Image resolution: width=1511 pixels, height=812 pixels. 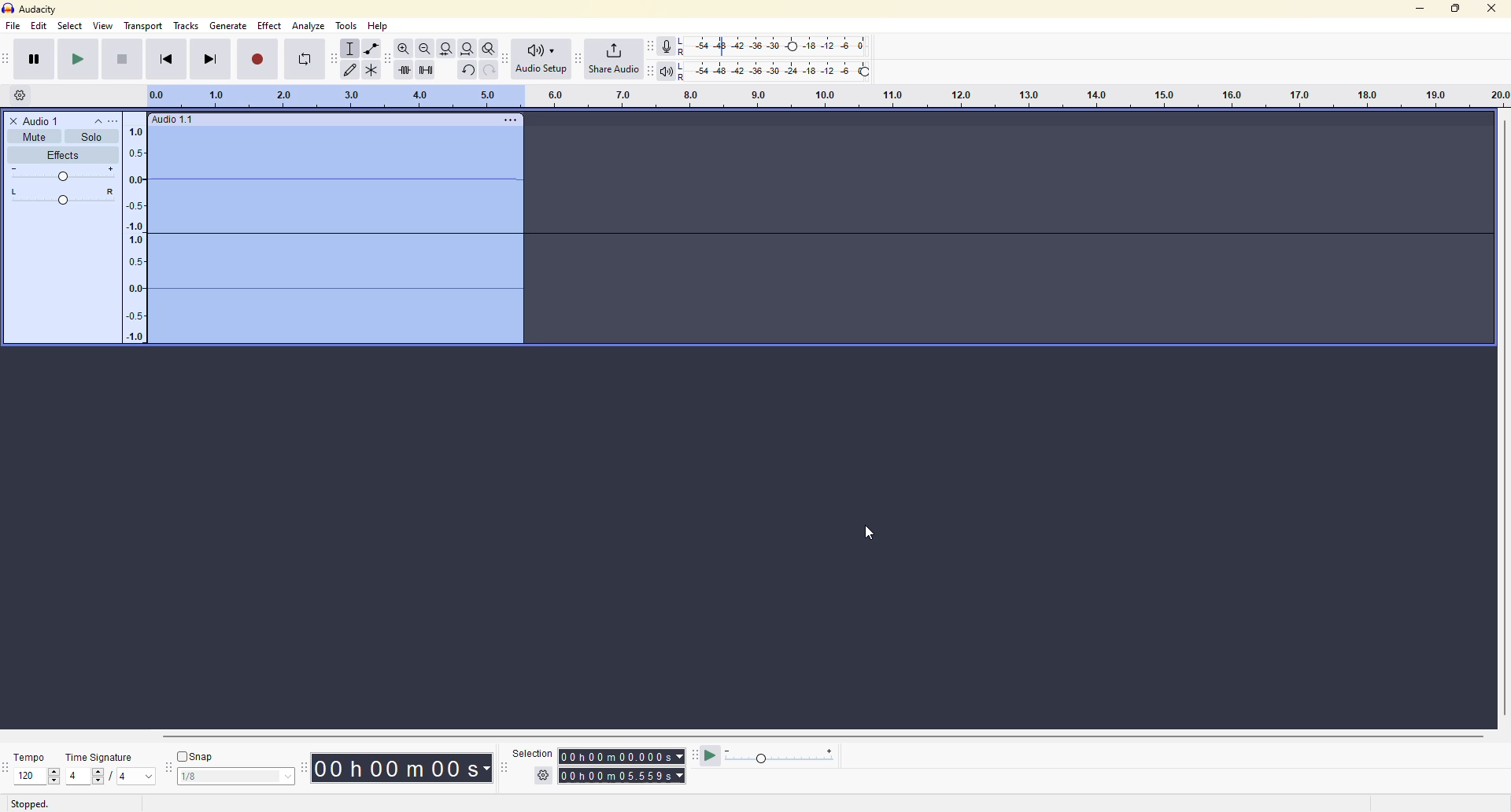 I want to click on mute, so click(x=33, y=137).